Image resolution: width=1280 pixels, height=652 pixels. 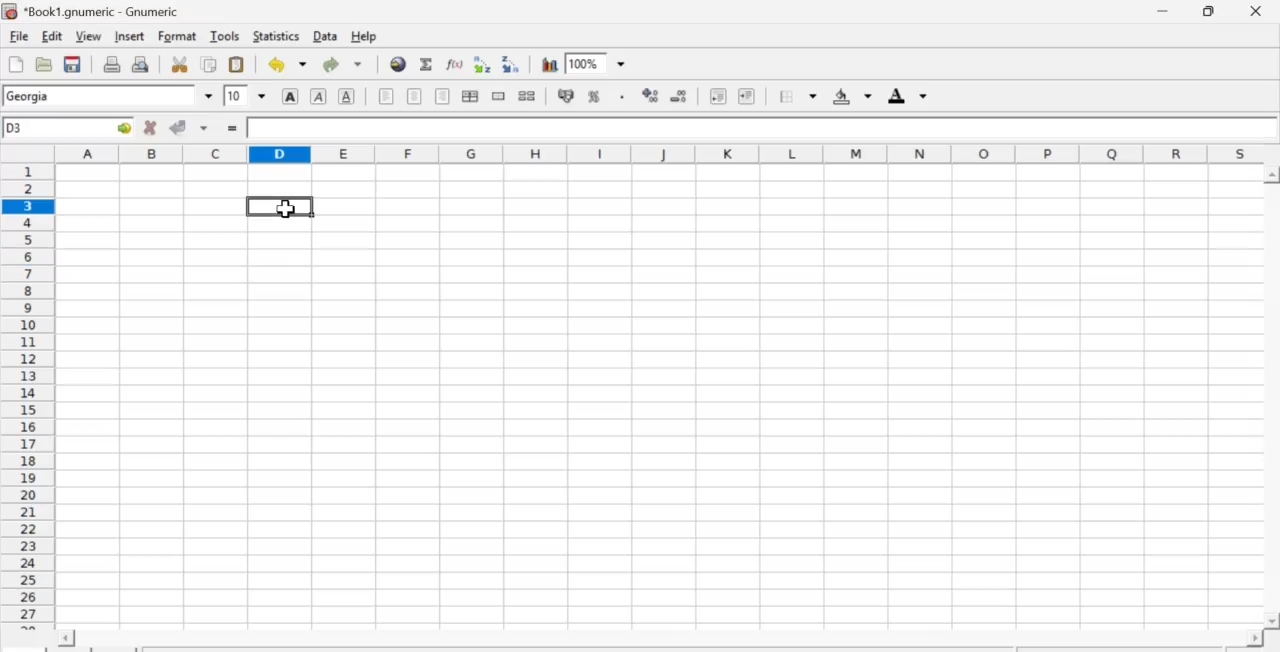 I want to click on Italics, so click(x=318, y=96).